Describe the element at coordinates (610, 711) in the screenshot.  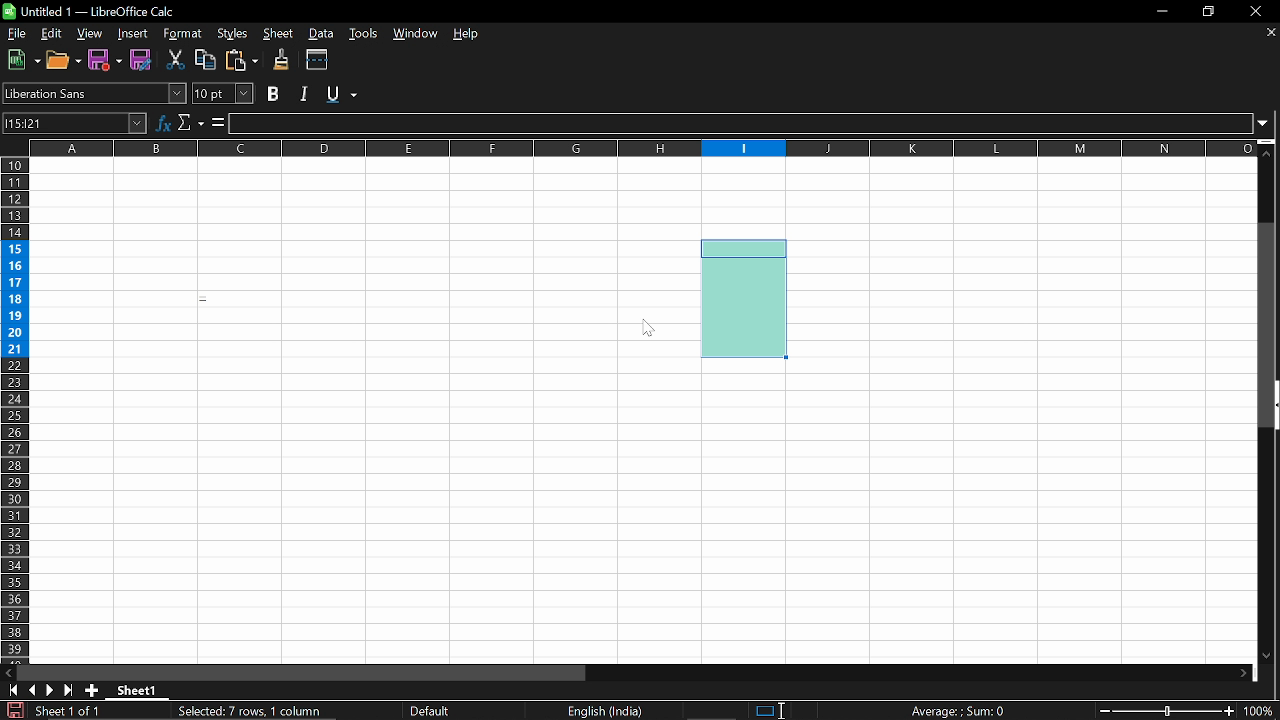
I see `Language` at that location.